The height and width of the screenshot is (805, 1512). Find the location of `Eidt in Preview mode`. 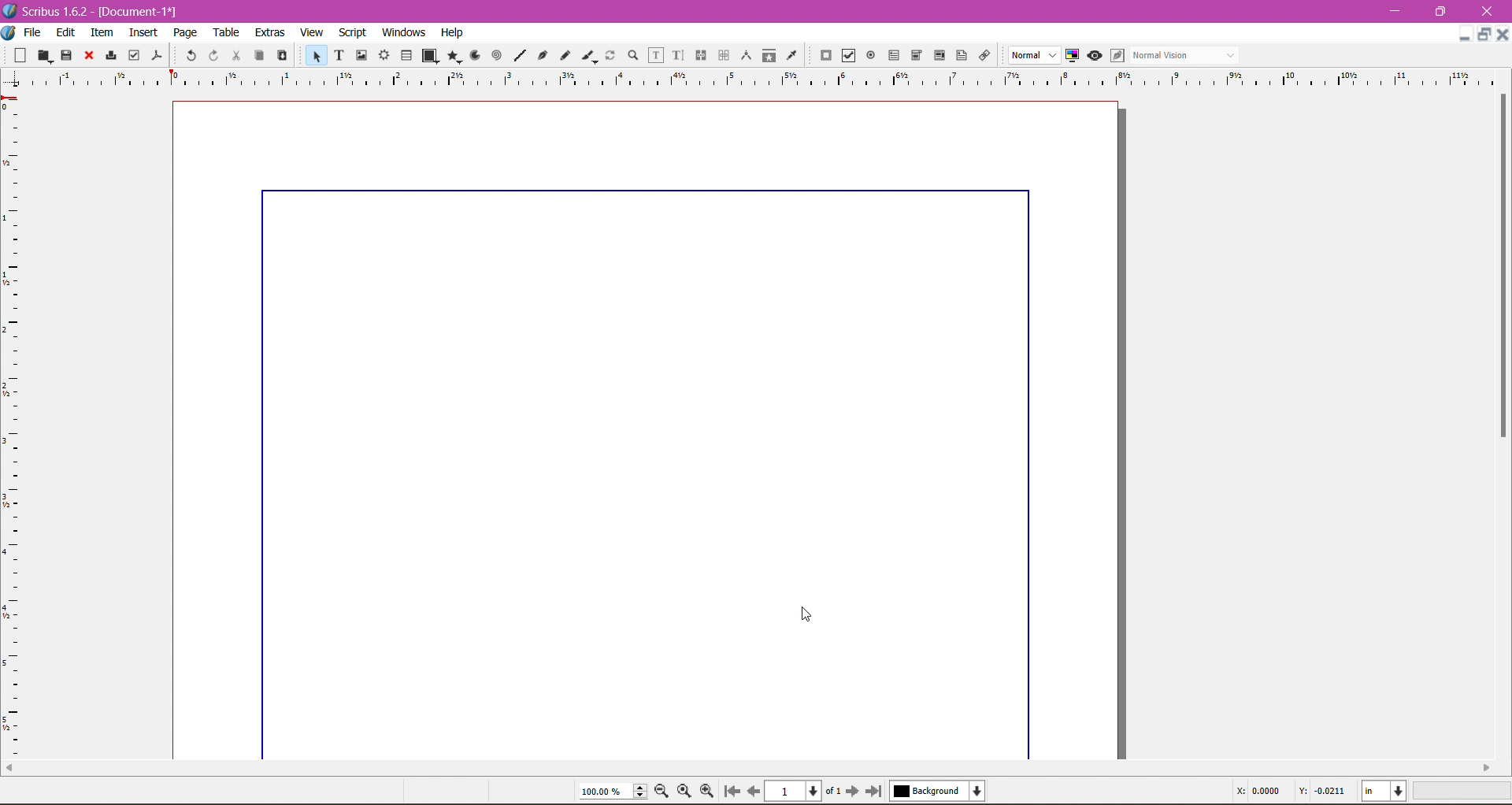

Eidt in Preview mode is located at coordinates (1117, 56).